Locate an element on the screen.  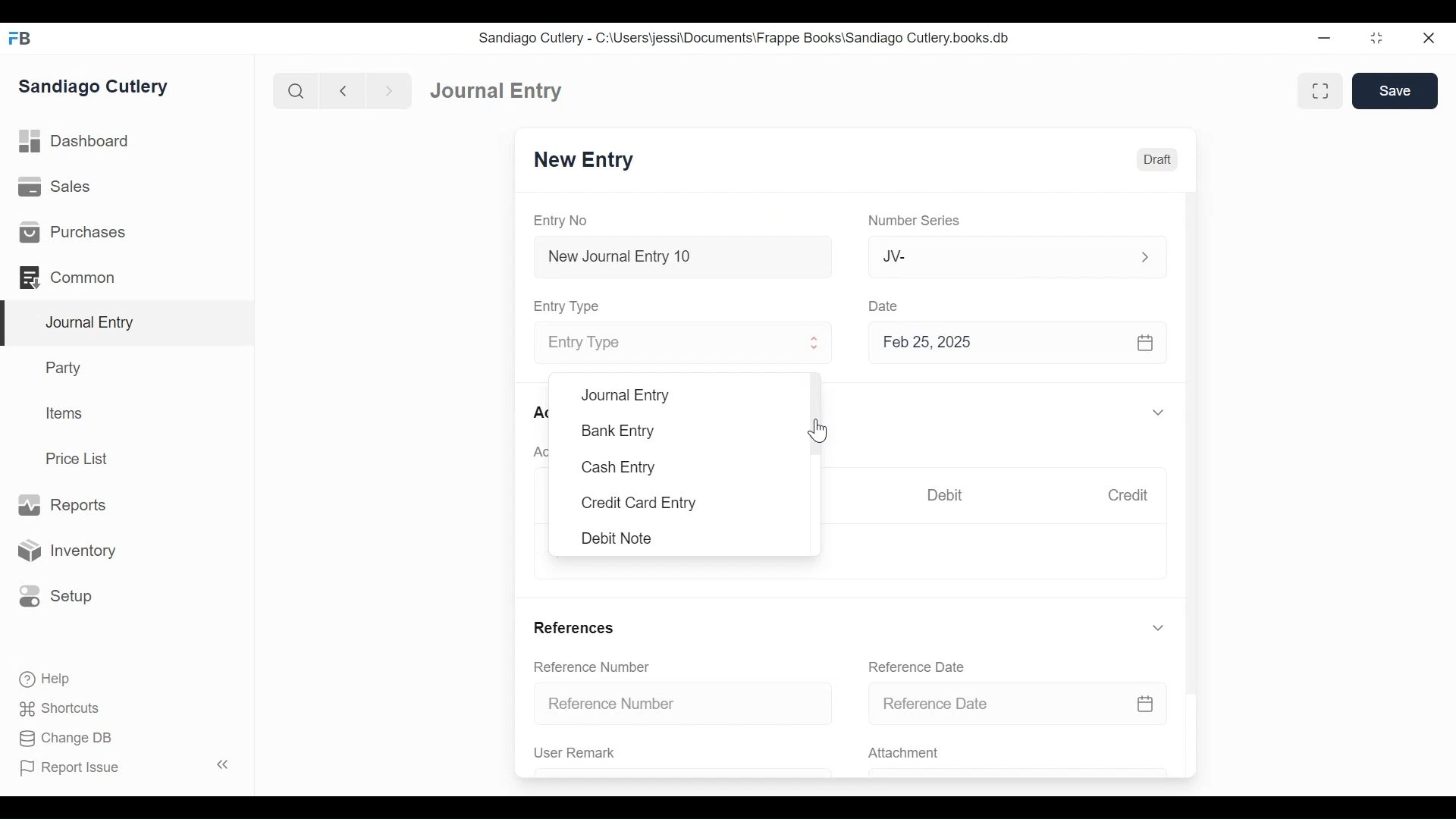
New Entry is located at coordinates (588, 162).